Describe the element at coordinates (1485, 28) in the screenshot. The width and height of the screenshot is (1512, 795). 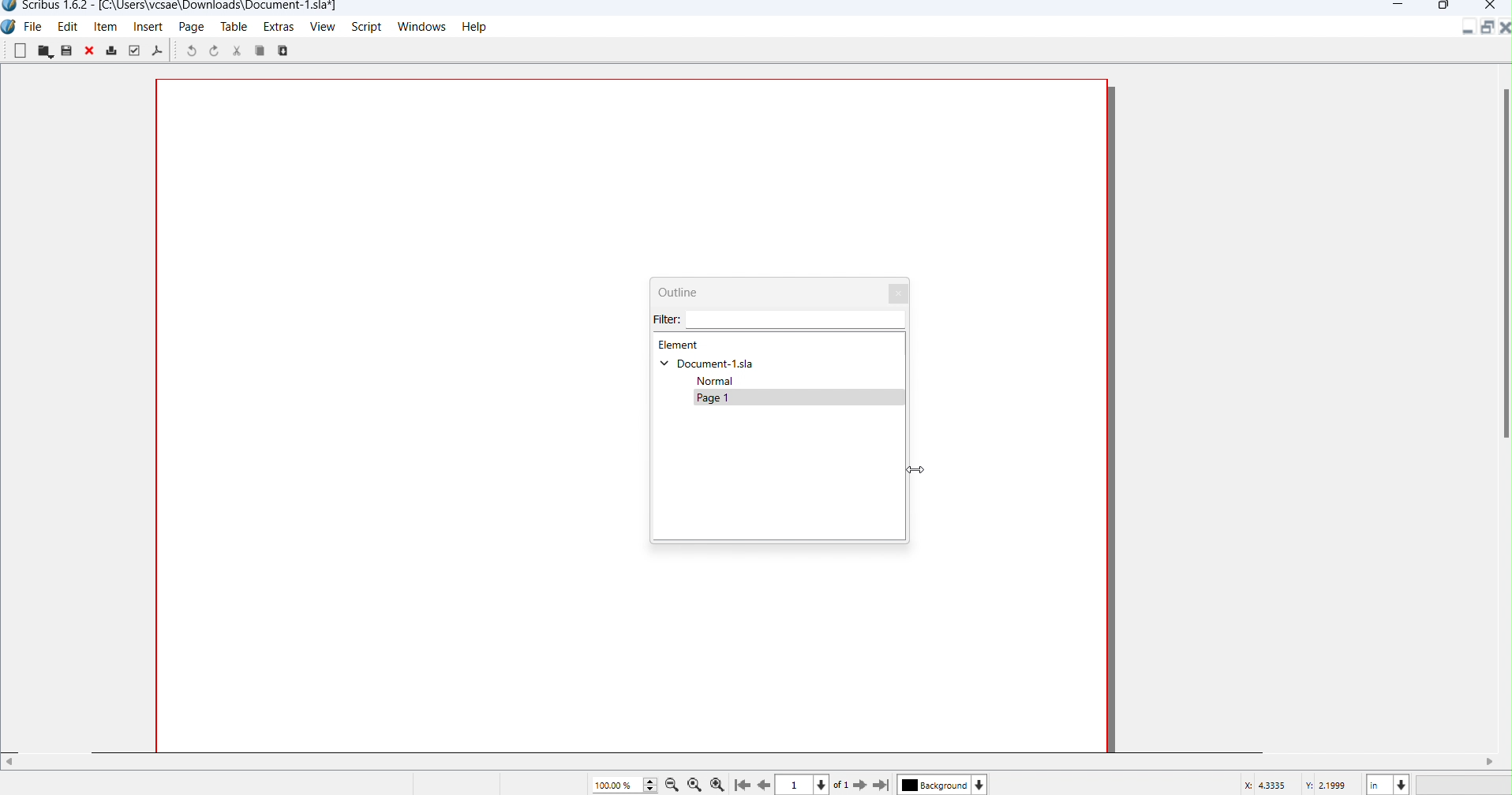
I see `maximize` at that location.